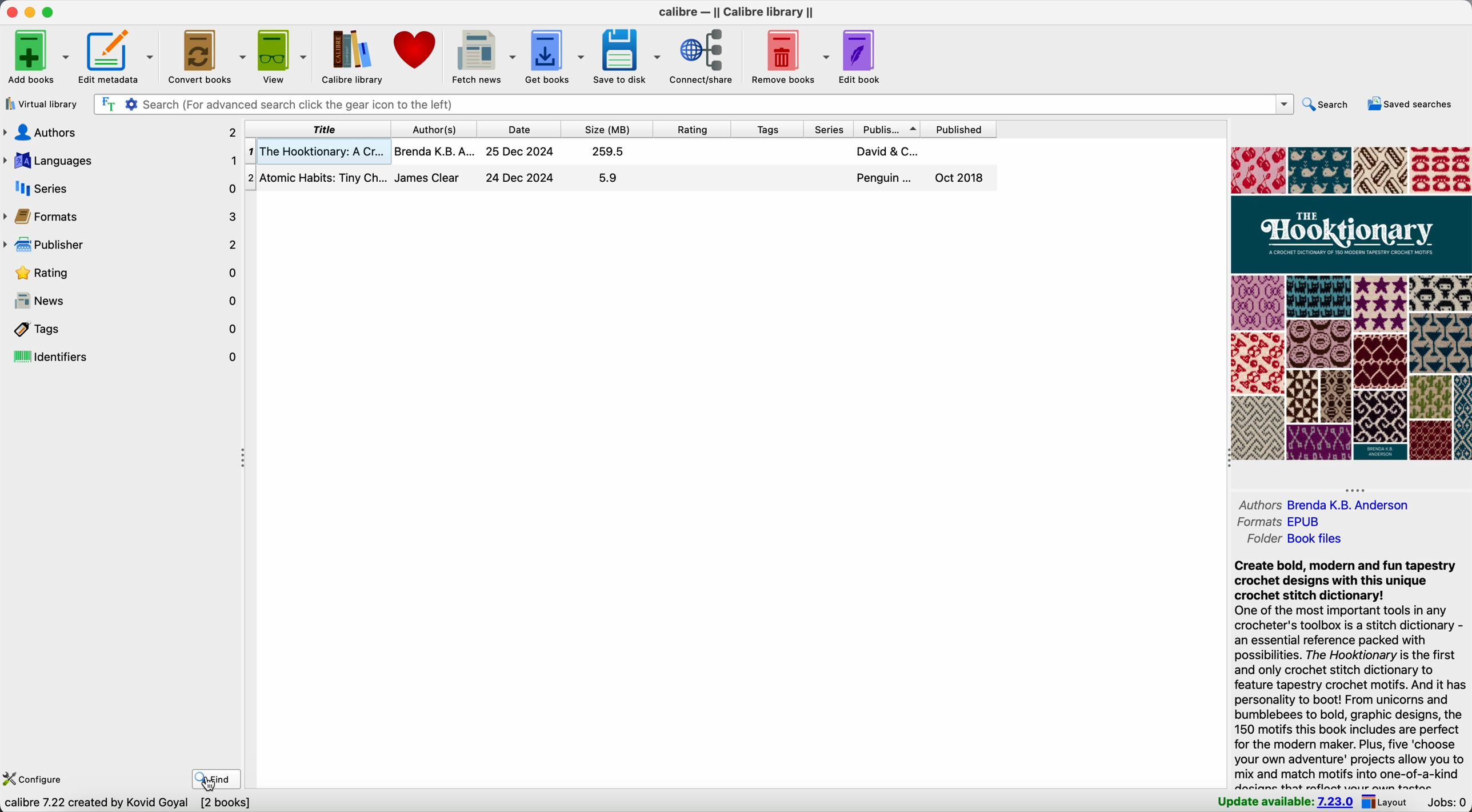 The image size is (1472, 812). I want to click on rating, so click(122, 273).